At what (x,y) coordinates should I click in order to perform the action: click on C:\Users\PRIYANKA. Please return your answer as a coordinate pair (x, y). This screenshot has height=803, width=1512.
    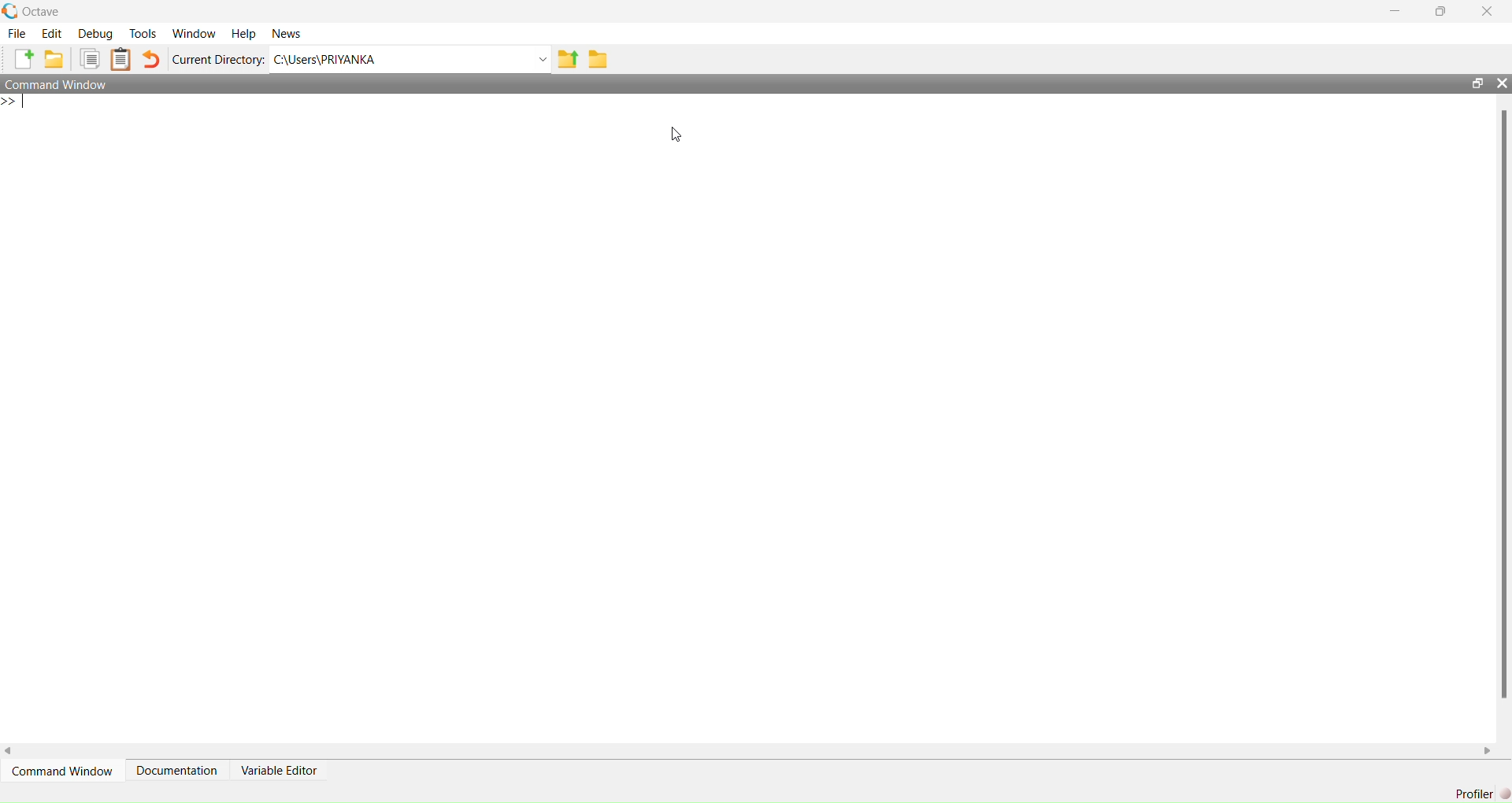
    Looking at the image, I should click on (325, 61).